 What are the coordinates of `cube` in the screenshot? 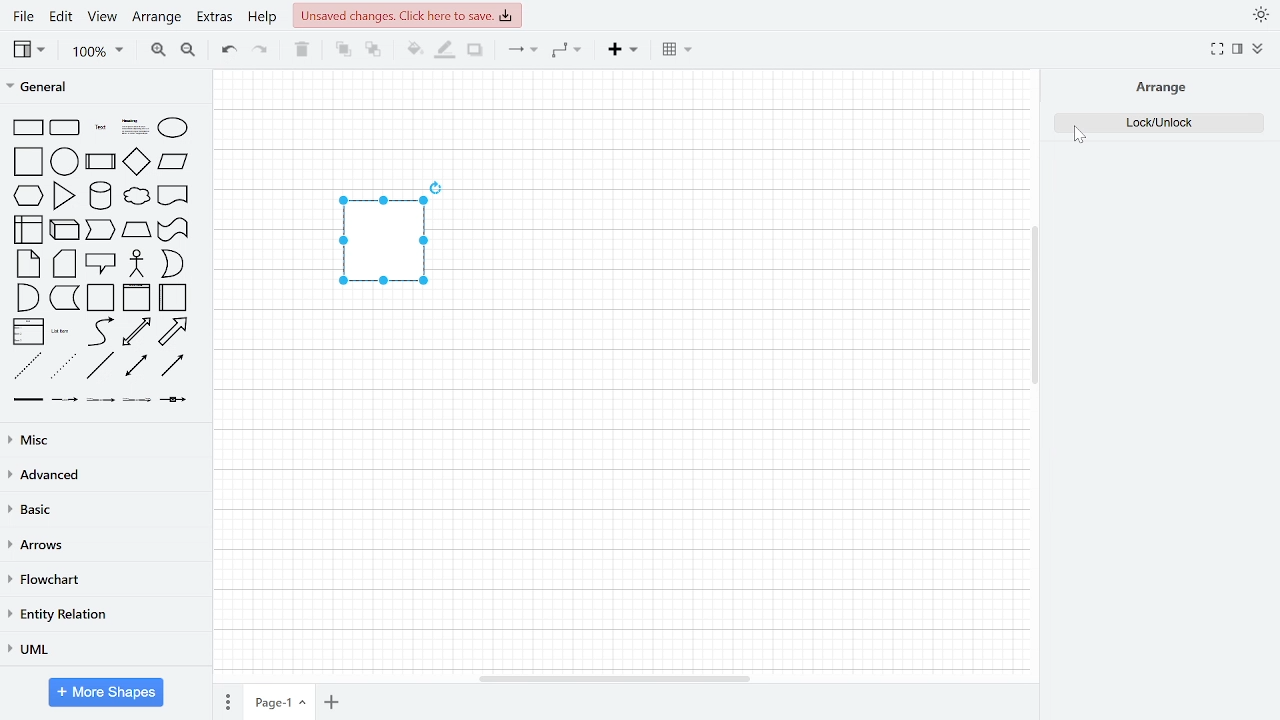 It's located at (64, 230).